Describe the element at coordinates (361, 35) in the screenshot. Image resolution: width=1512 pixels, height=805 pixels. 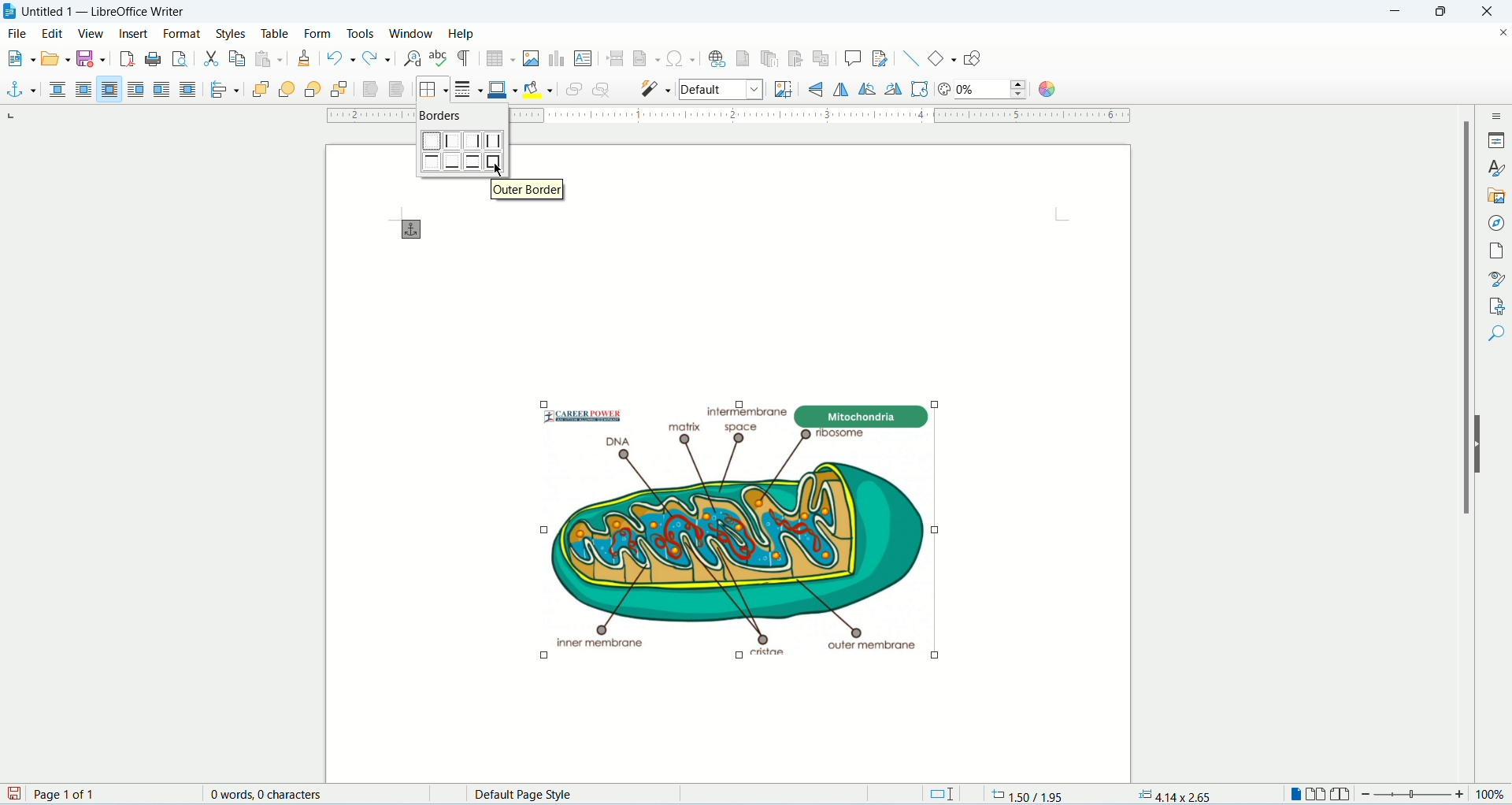
I see `tools` at that location.